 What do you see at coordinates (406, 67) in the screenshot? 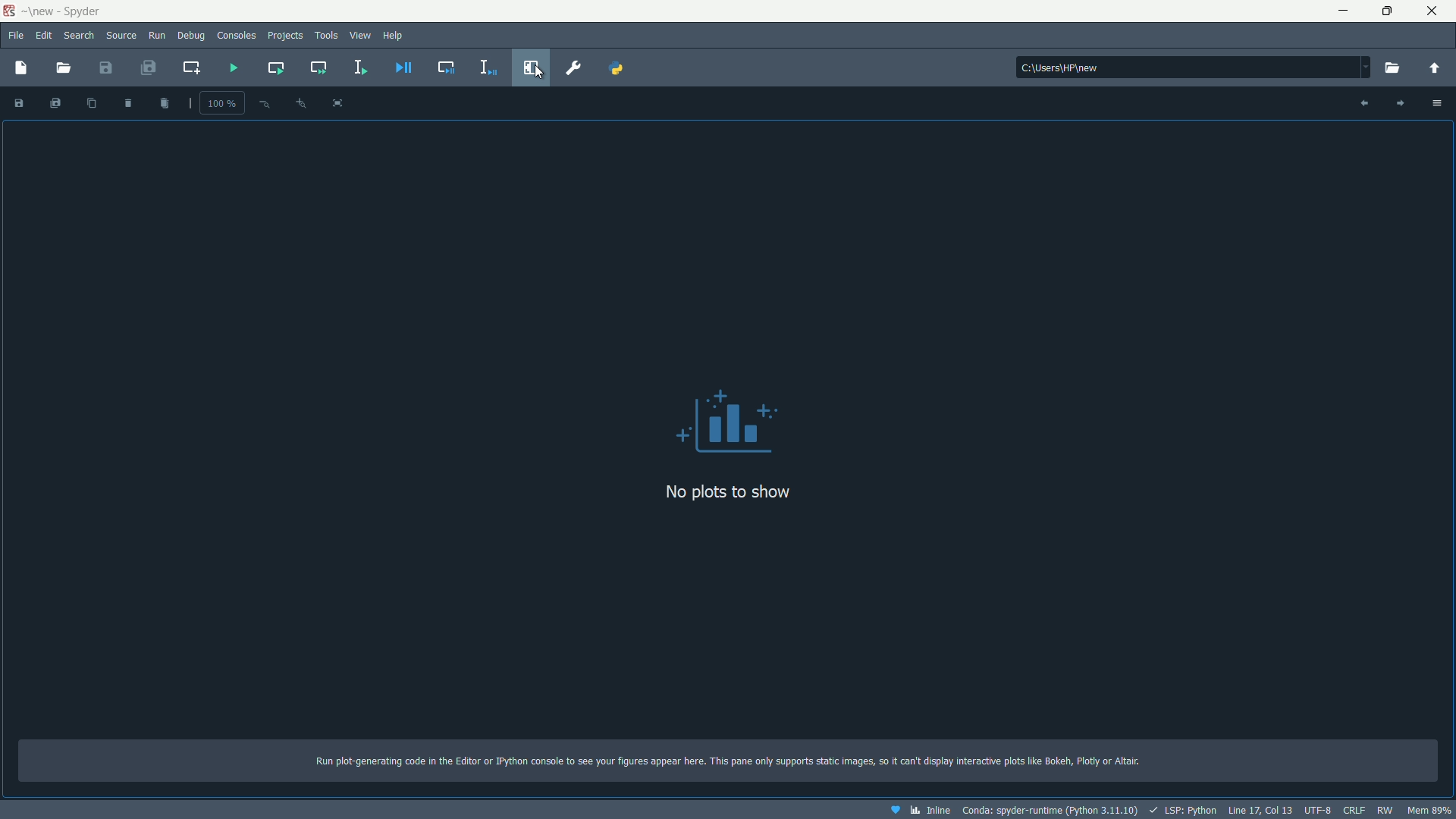
I see `debug file` at bounding box center [406, 67].